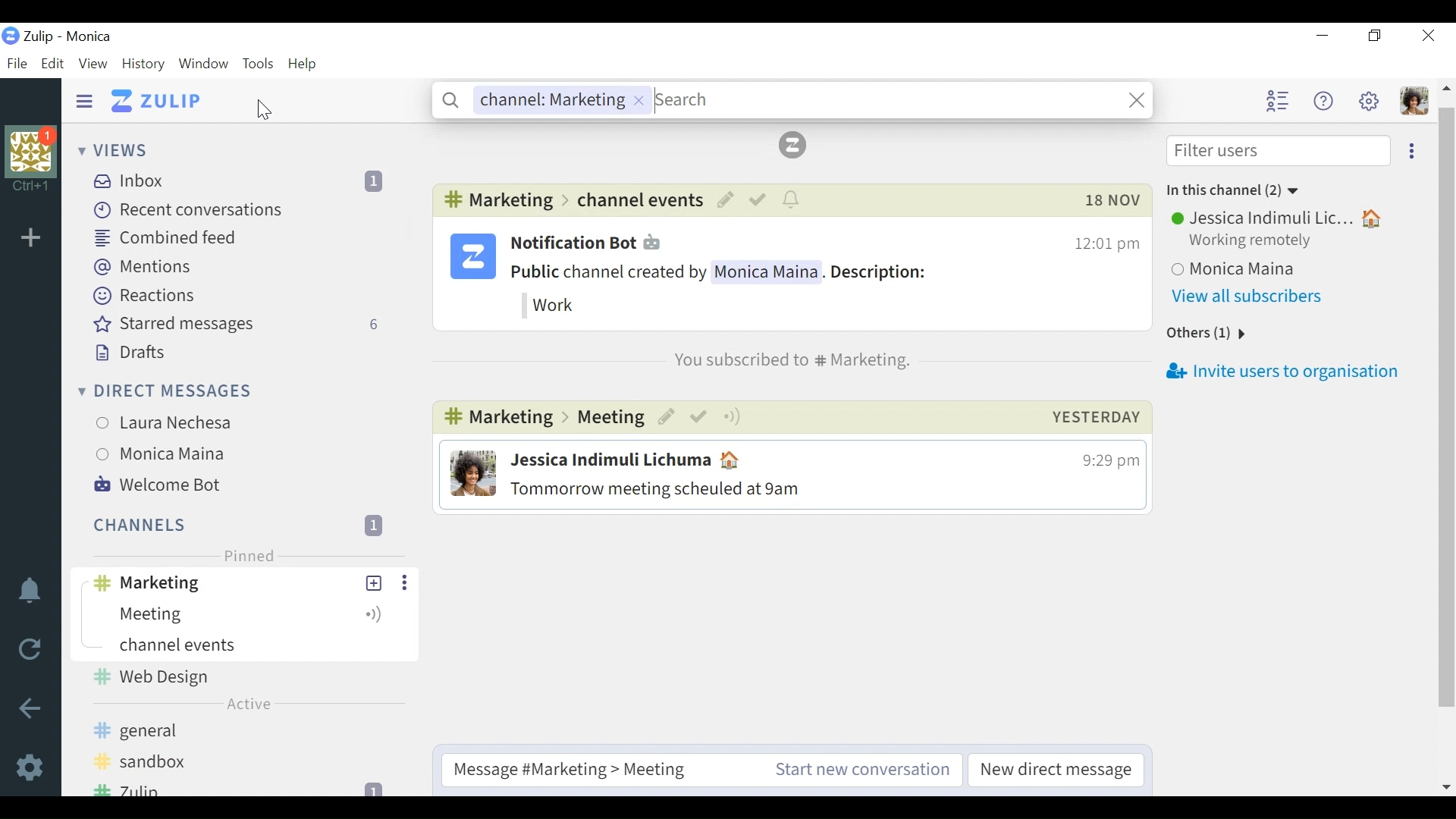 The height and width of the screenshot is (819, 1456). I want to click on Users, so click(180, 425).